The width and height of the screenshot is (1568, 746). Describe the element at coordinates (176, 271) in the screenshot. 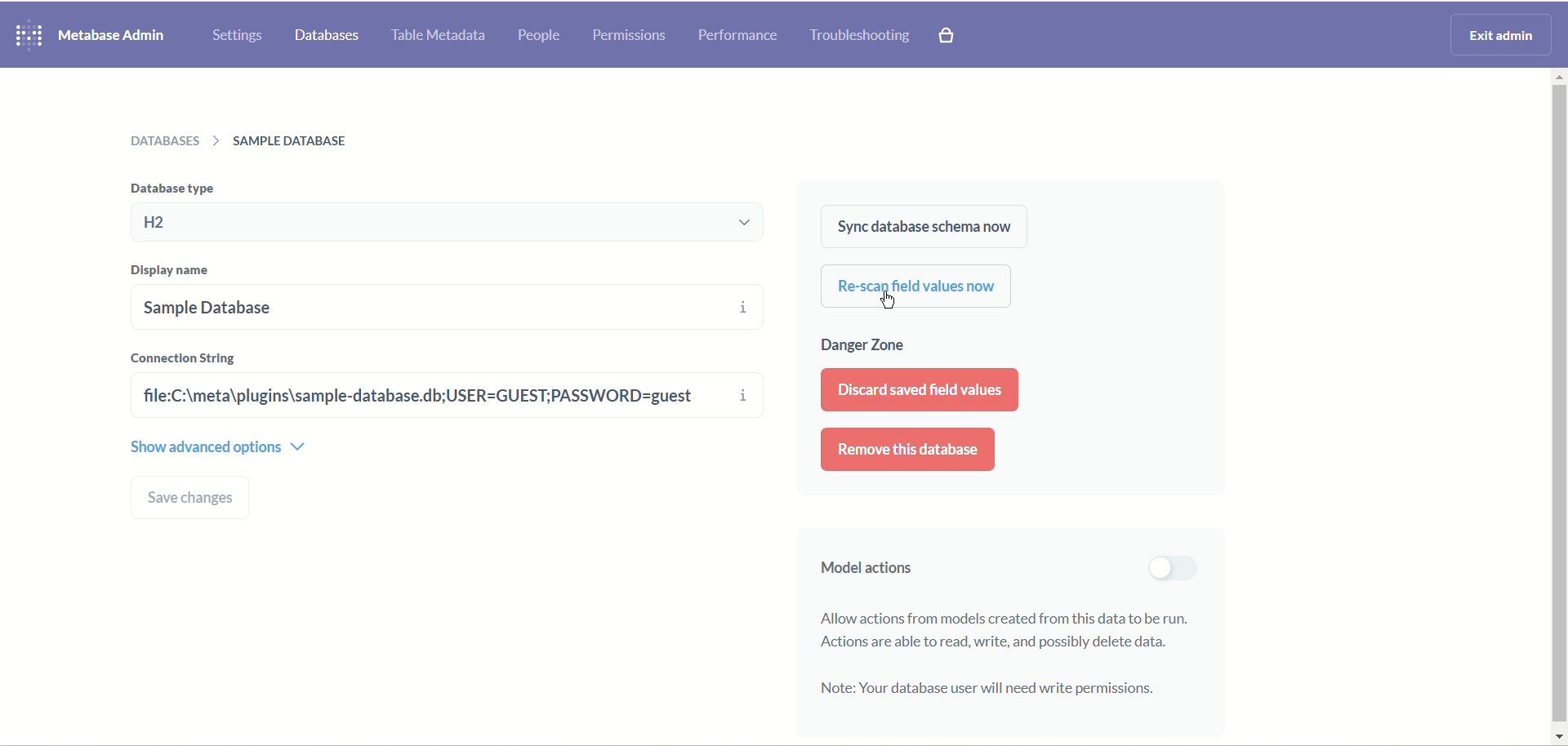

I see `display name` at that location.